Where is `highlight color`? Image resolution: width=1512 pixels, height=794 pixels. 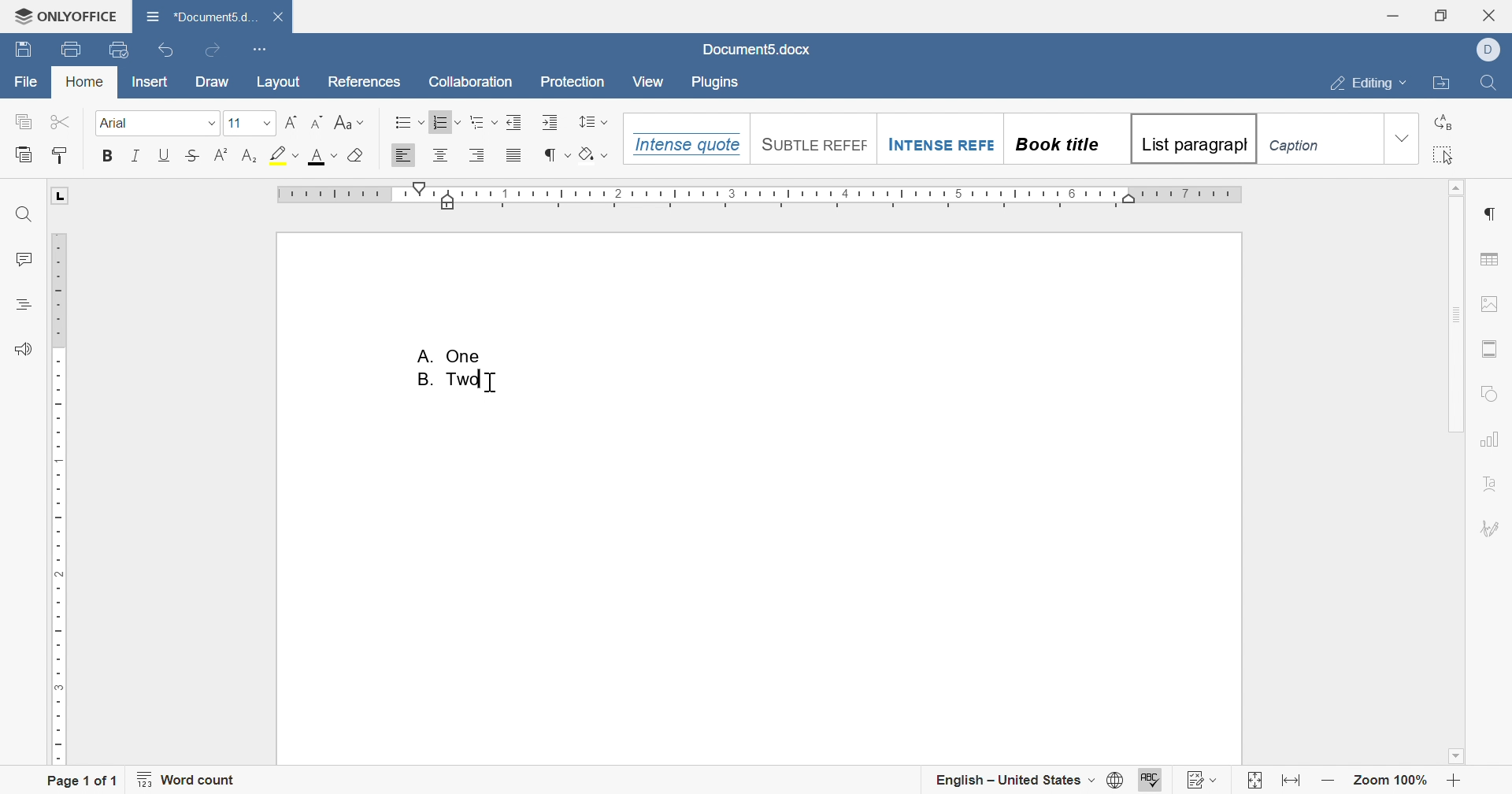
highlight color is located at coordinates (287, 153).